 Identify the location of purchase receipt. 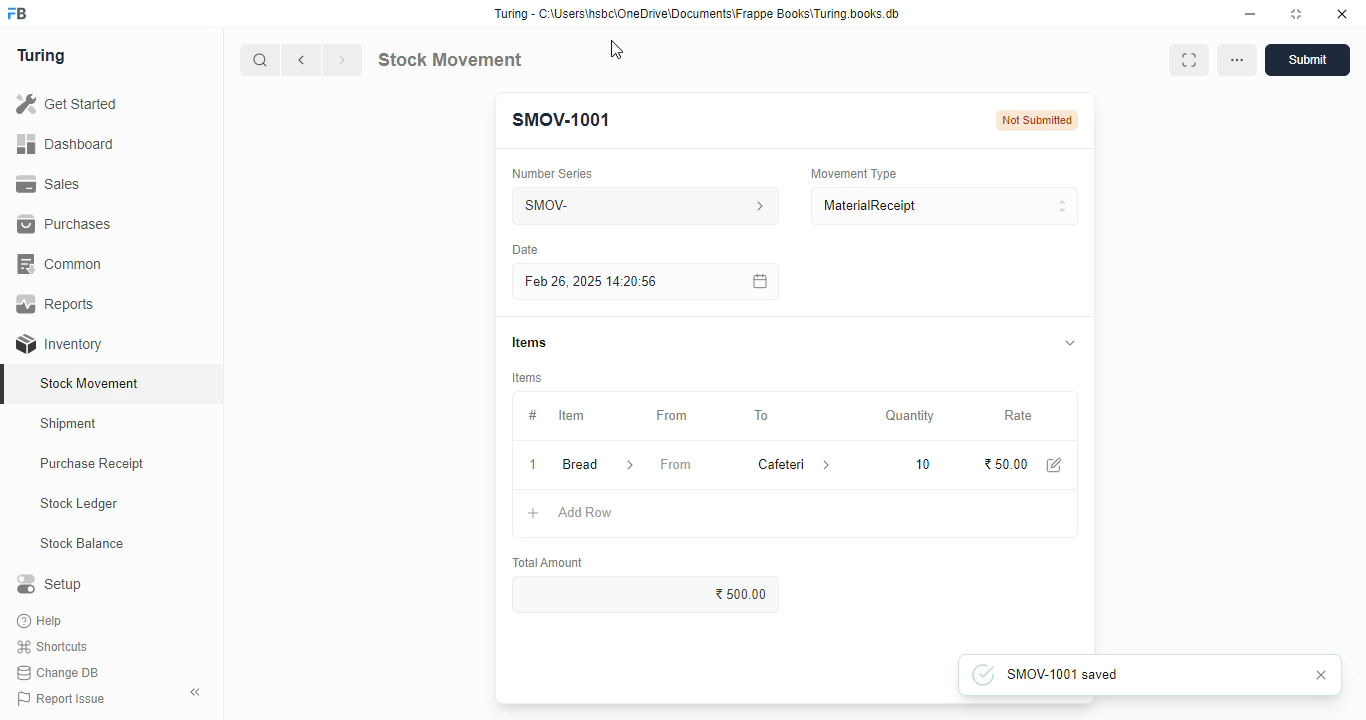
(92, 463).